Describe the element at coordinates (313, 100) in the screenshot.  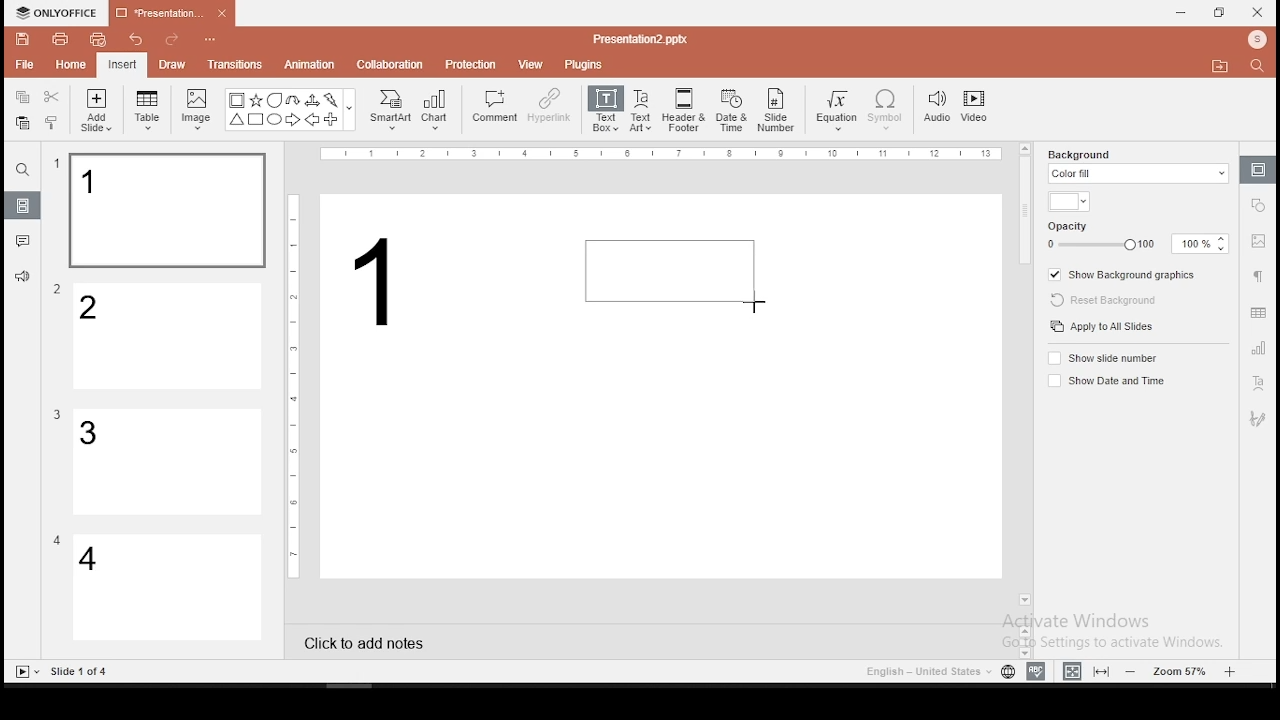
I see `Arrow triways` at that location.